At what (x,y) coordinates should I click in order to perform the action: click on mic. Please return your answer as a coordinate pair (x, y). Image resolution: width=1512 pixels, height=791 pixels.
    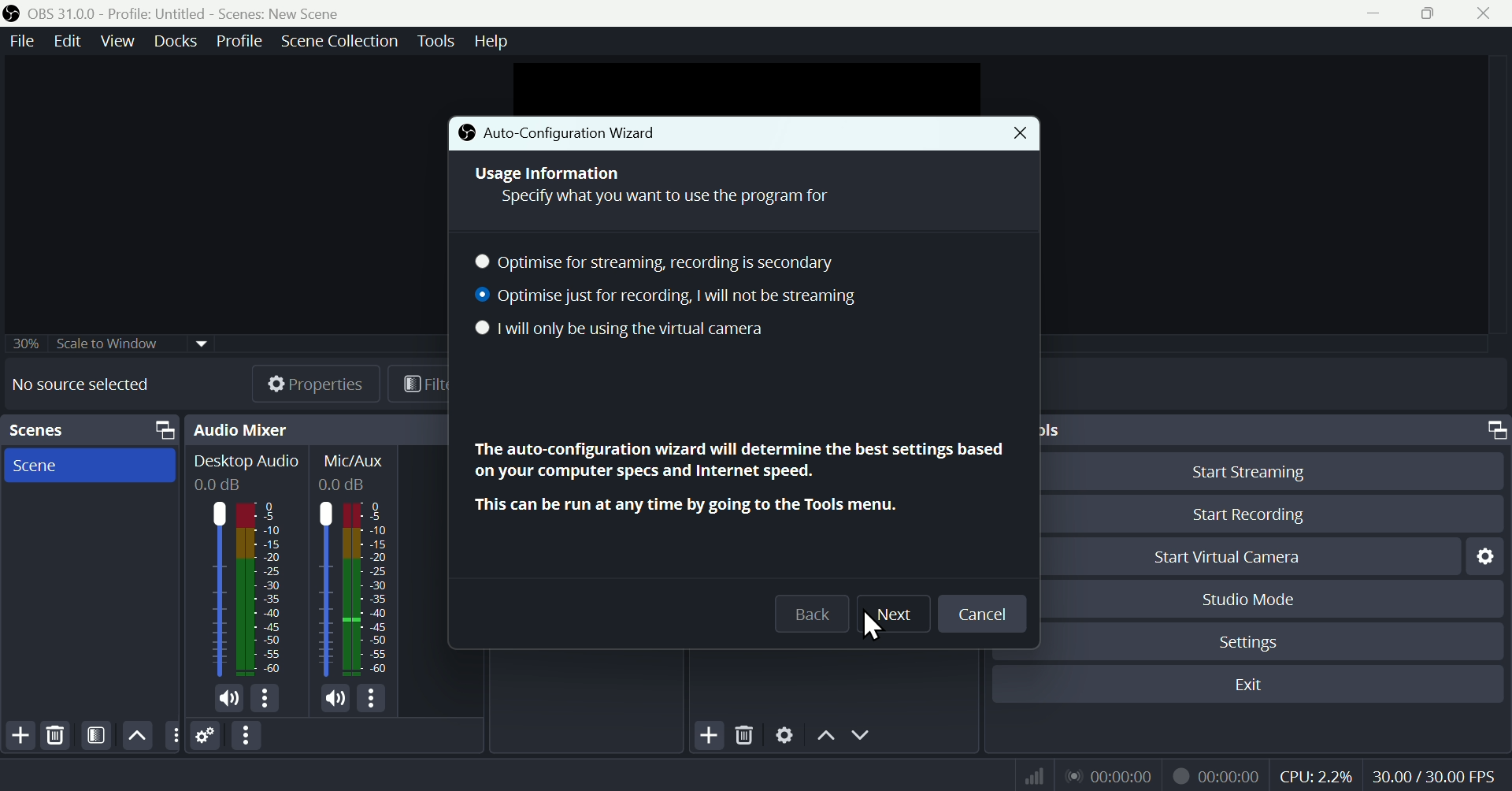
    Looking at the image, I should click on (229, 699).